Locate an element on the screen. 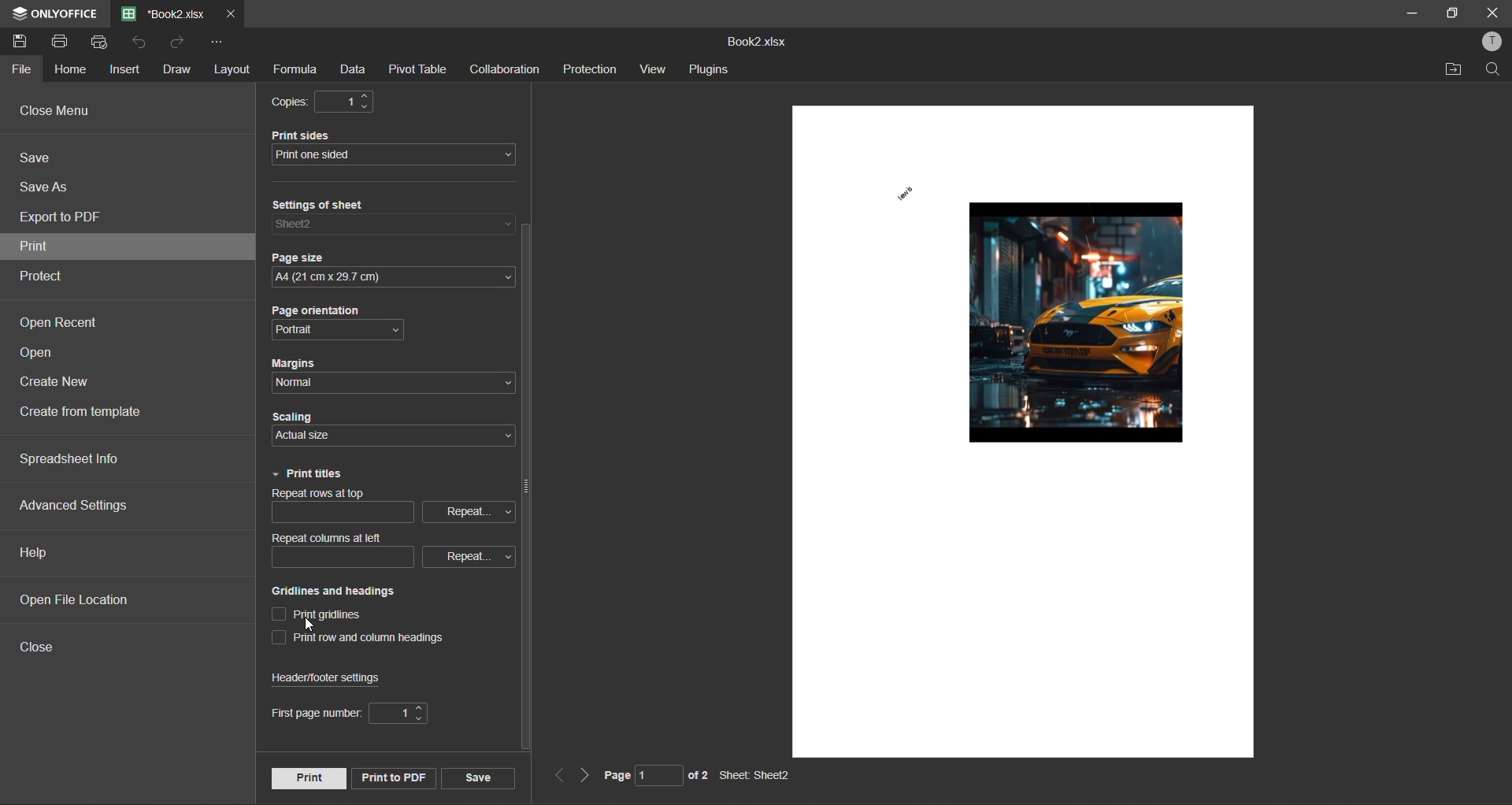 The width and height of the screenshot is (1512, 805). save as is located at coordinates (46, 189).